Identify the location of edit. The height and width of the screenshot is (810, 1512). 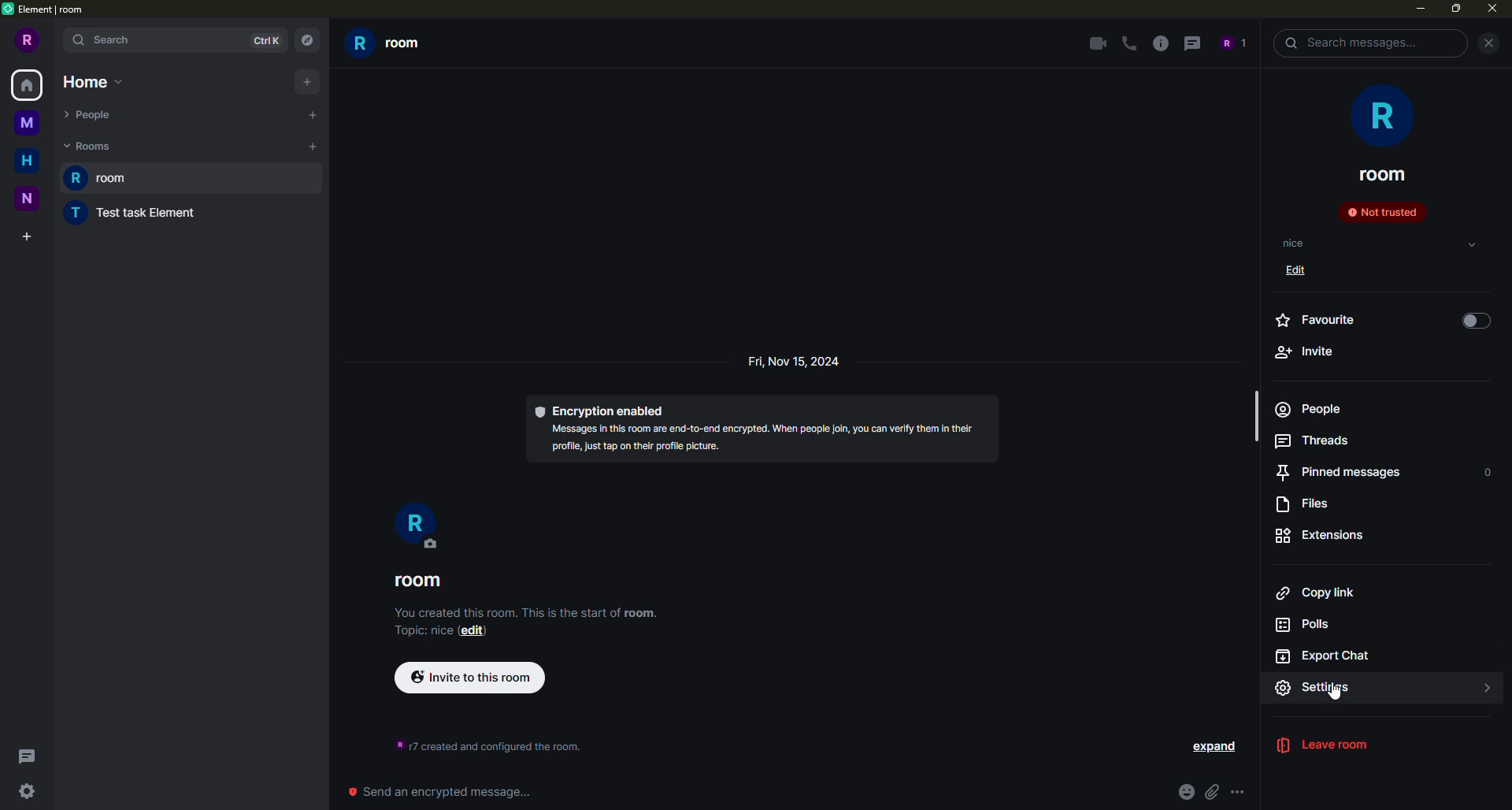
(1302, 273).